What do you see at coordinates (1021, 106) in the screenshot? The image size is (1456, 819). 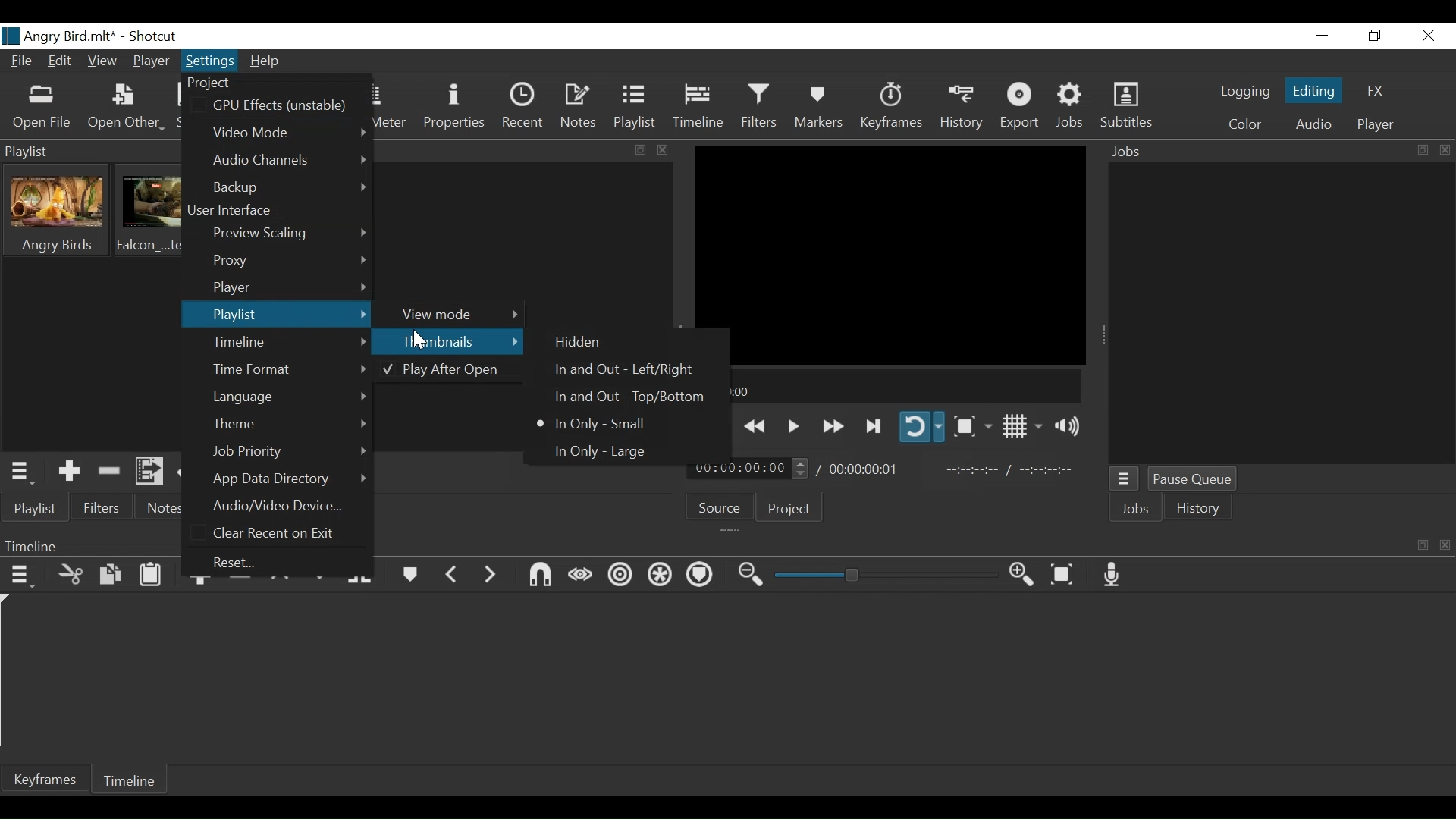 I see `Export` at bounding box center [1021, 106].